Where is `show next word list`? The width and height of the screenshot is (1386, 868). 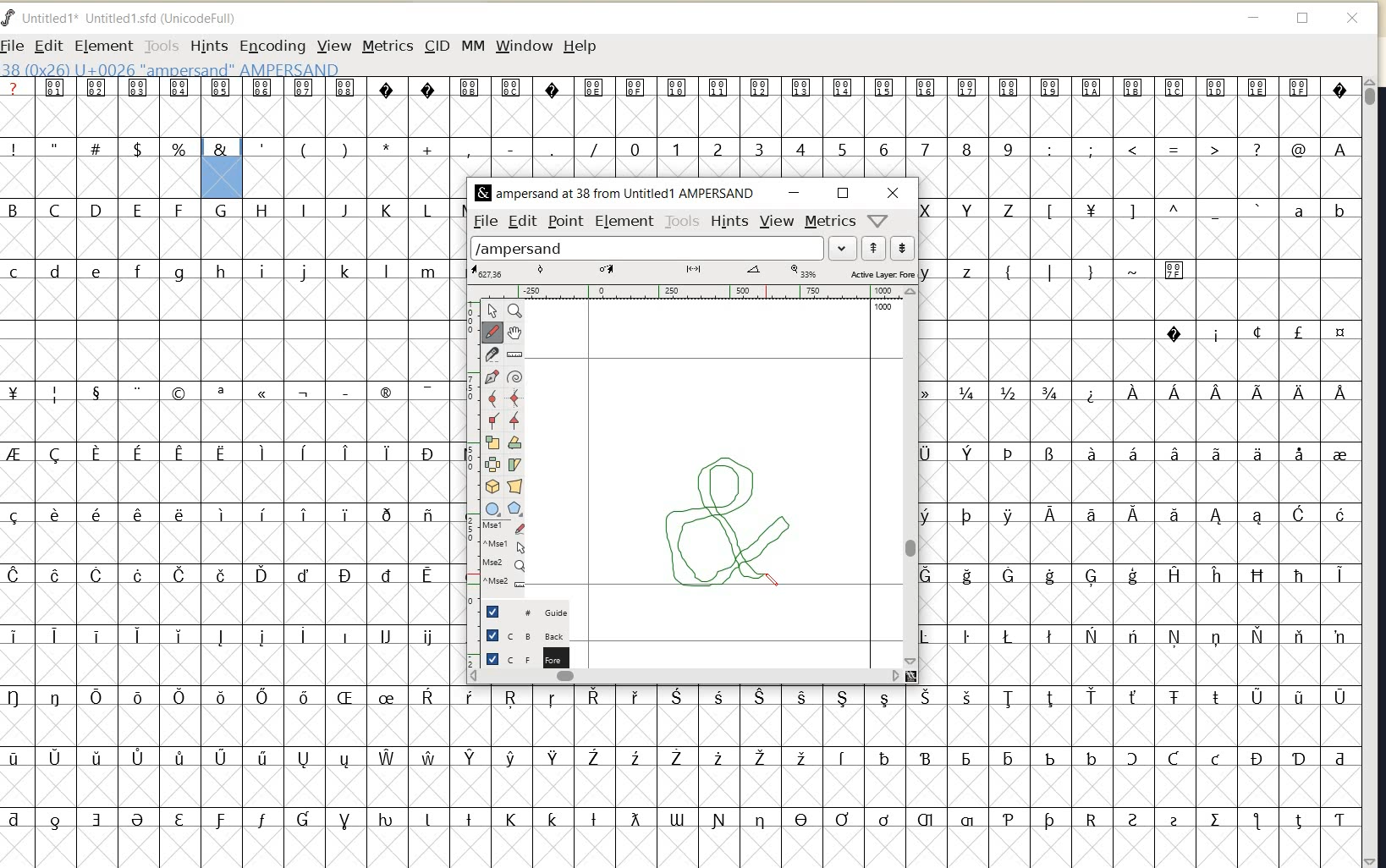 show next word list is located at coordinates (903, 248).